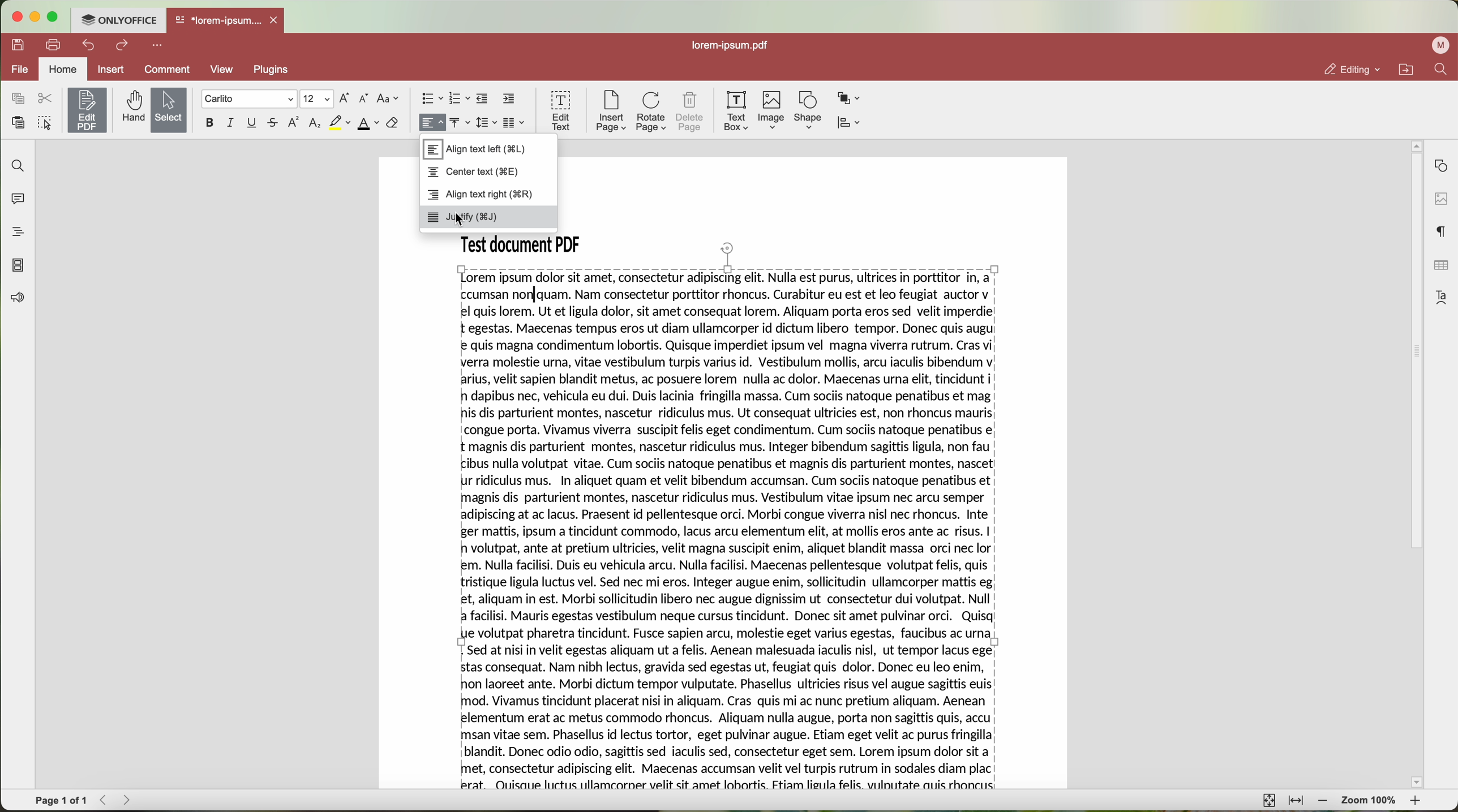 The image size is (1458, 812). Describe the element at coordinates (113, 801) in the screenshot. I see `navigate arrows` at that location.